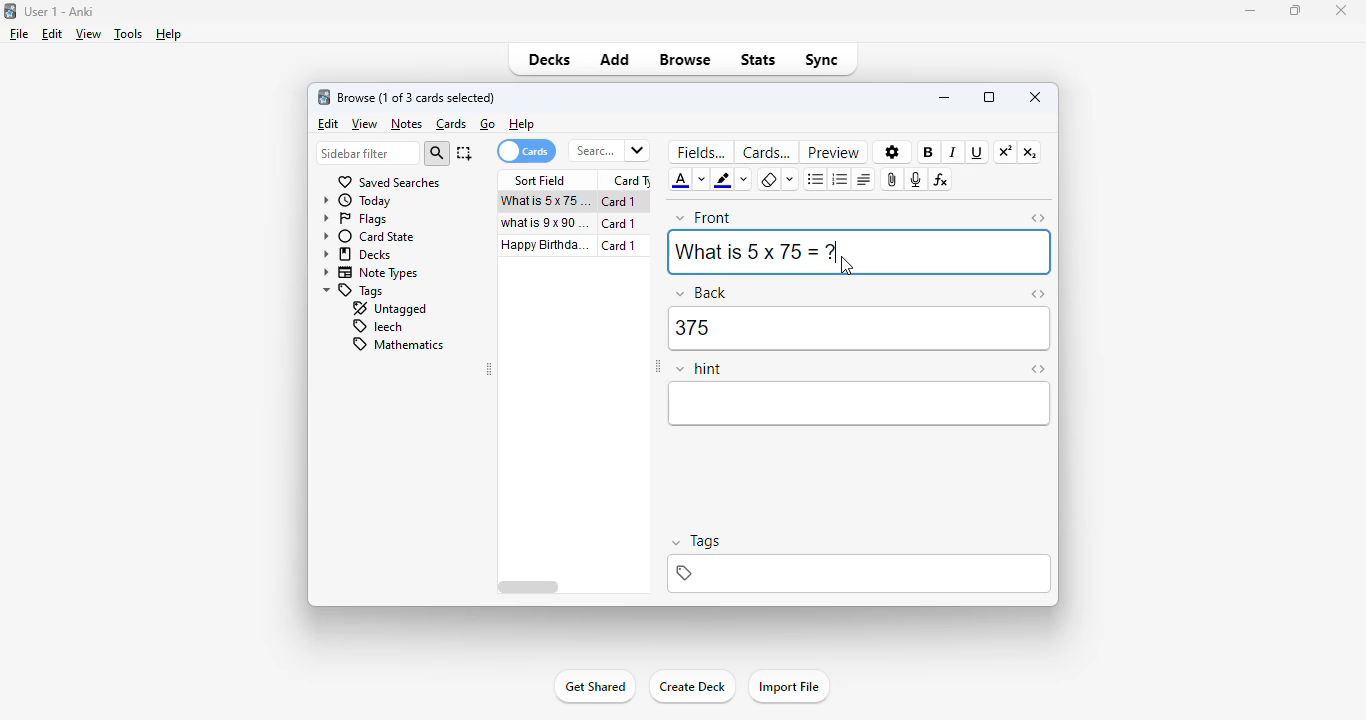 The height and width of the screenshot is (720, 1366). What do you see at coordinates (390, 182) in the screenshot?
I see `saved searches` at bounding box center [390, 182].